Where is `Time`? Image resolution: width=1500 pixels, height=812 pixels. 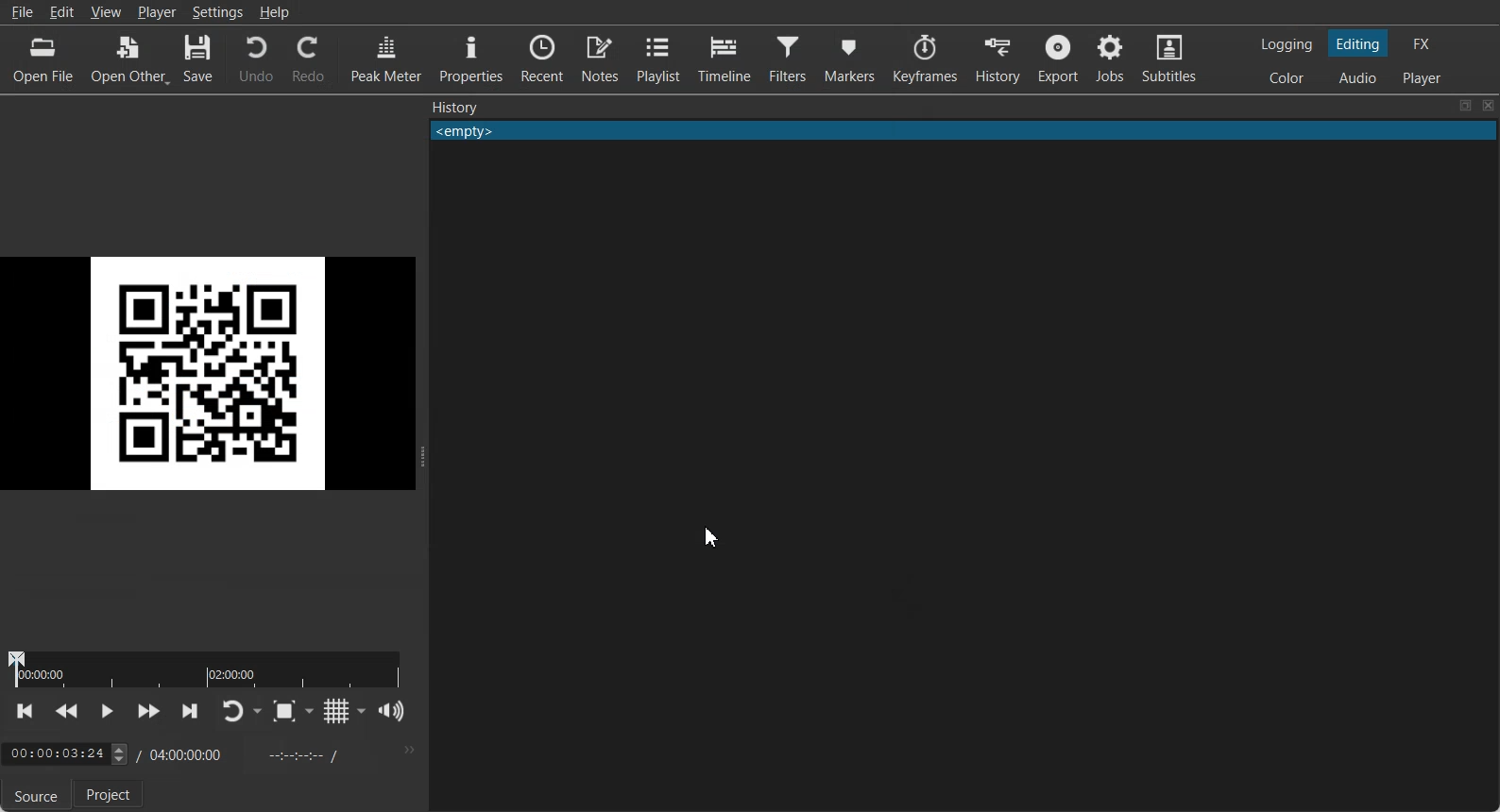 Time is located at coordinates (53, 750).